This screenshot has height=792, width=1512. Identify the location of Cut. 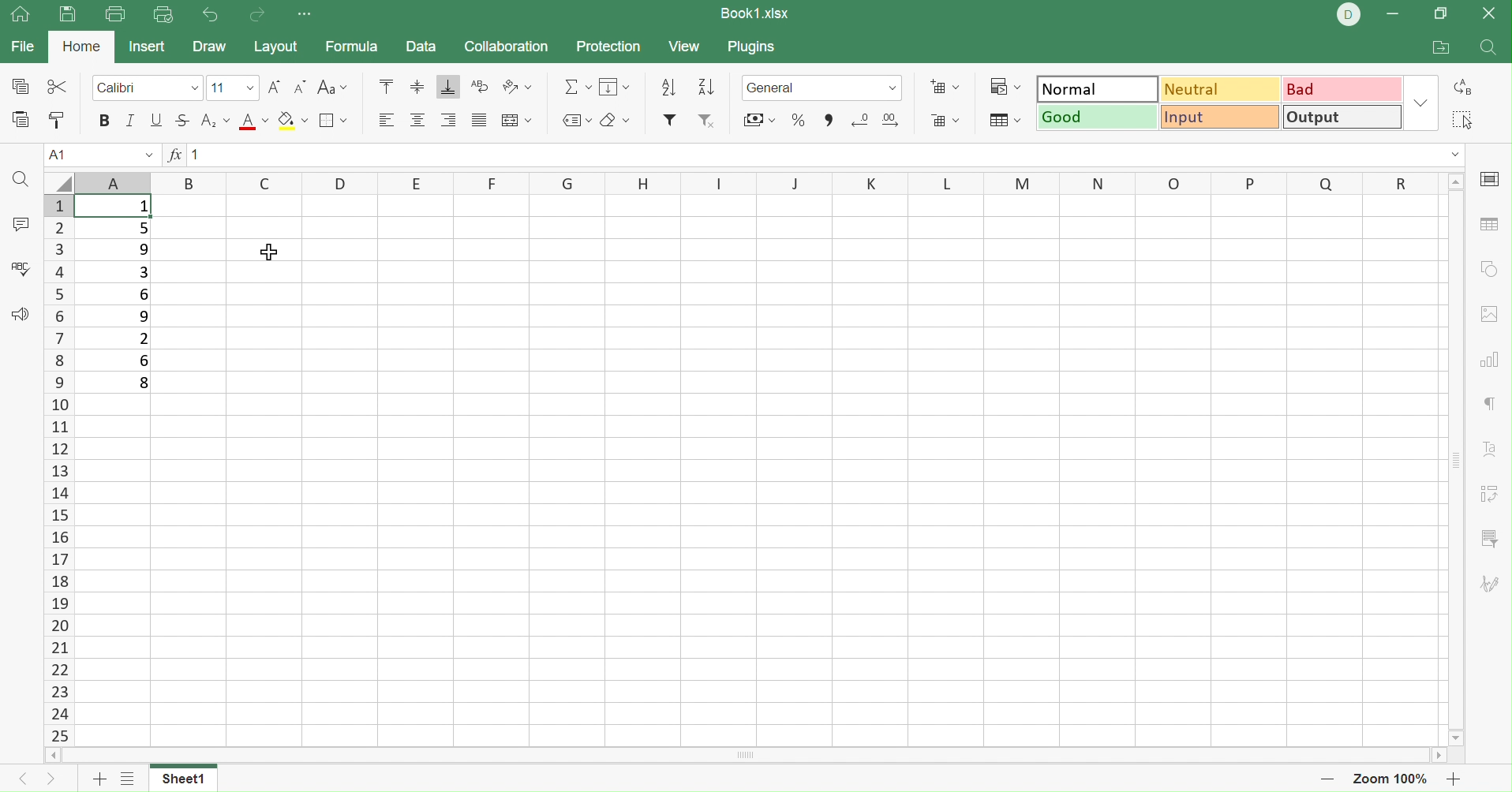
(57, 87).